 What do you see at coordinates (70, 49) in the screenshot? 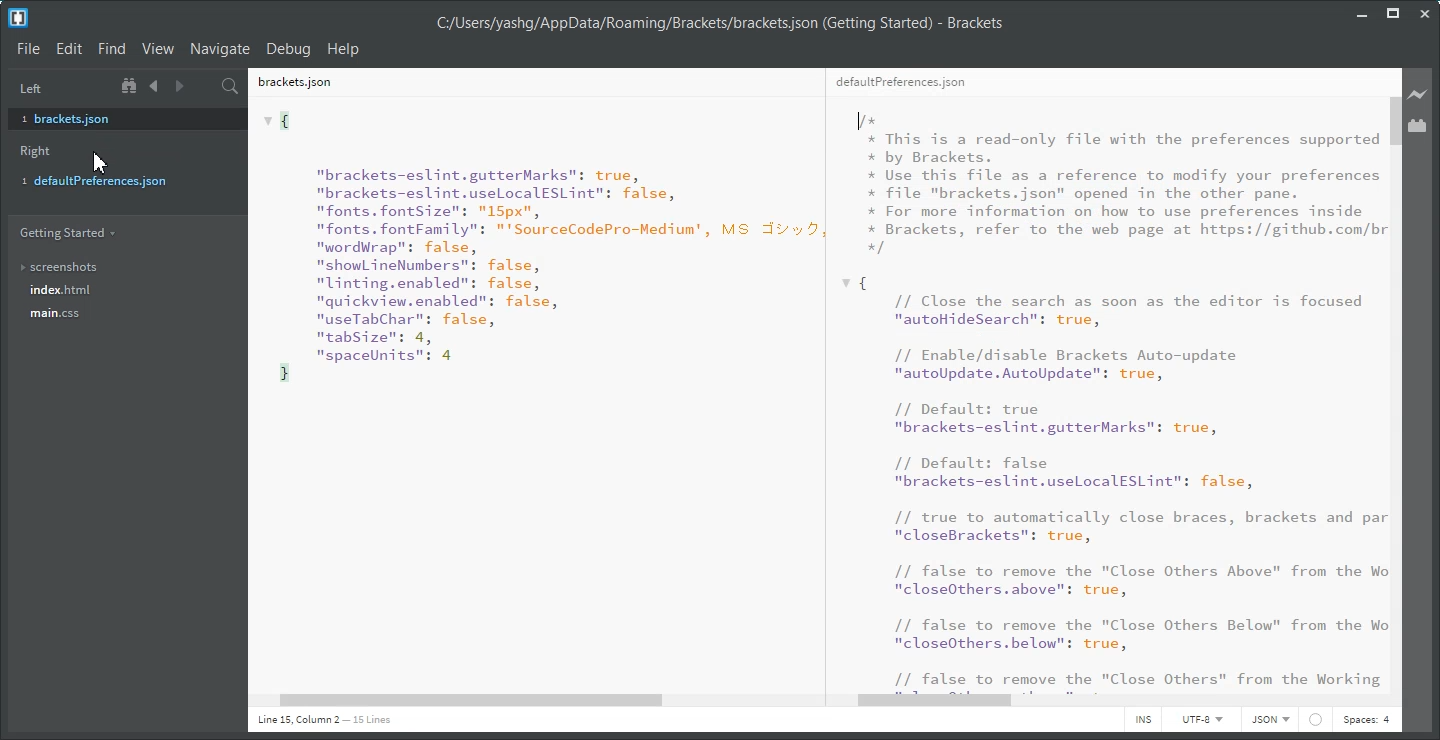
I see `Edit` at bounding box center [70, 49].